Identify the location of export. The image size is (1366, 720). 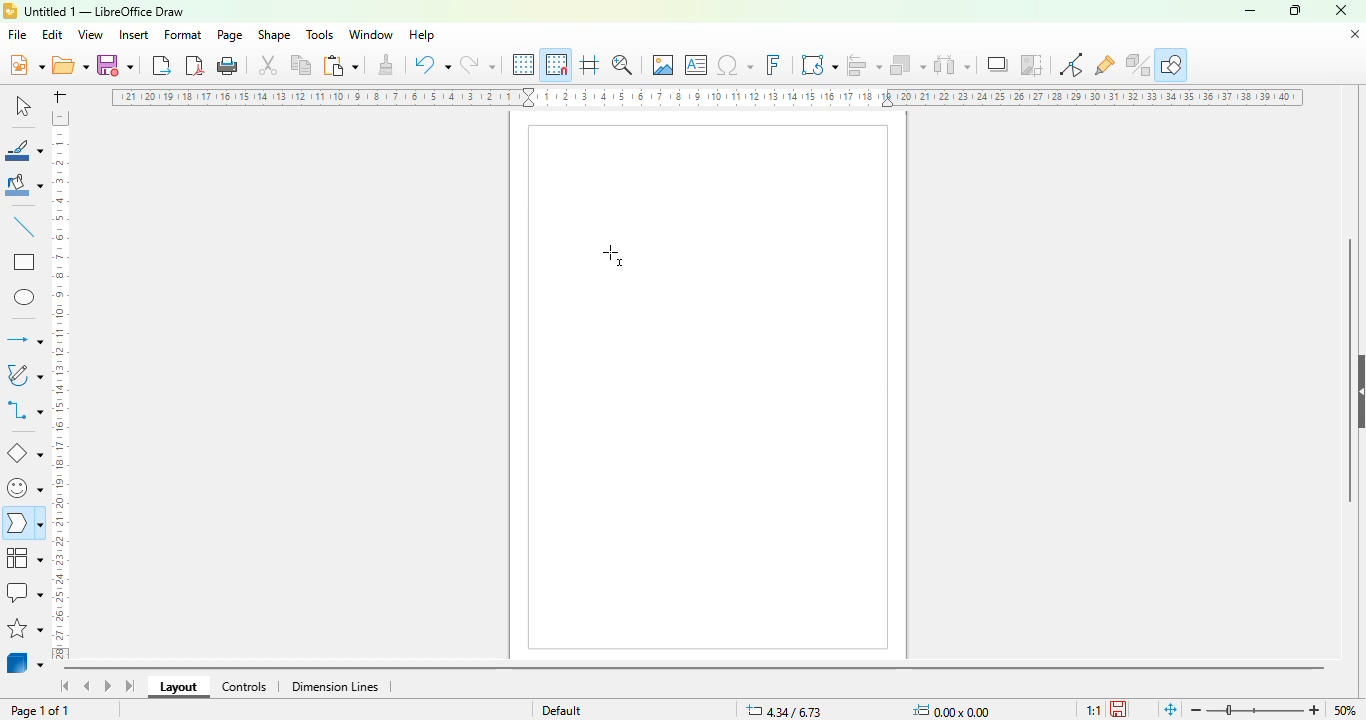
(163, 65).